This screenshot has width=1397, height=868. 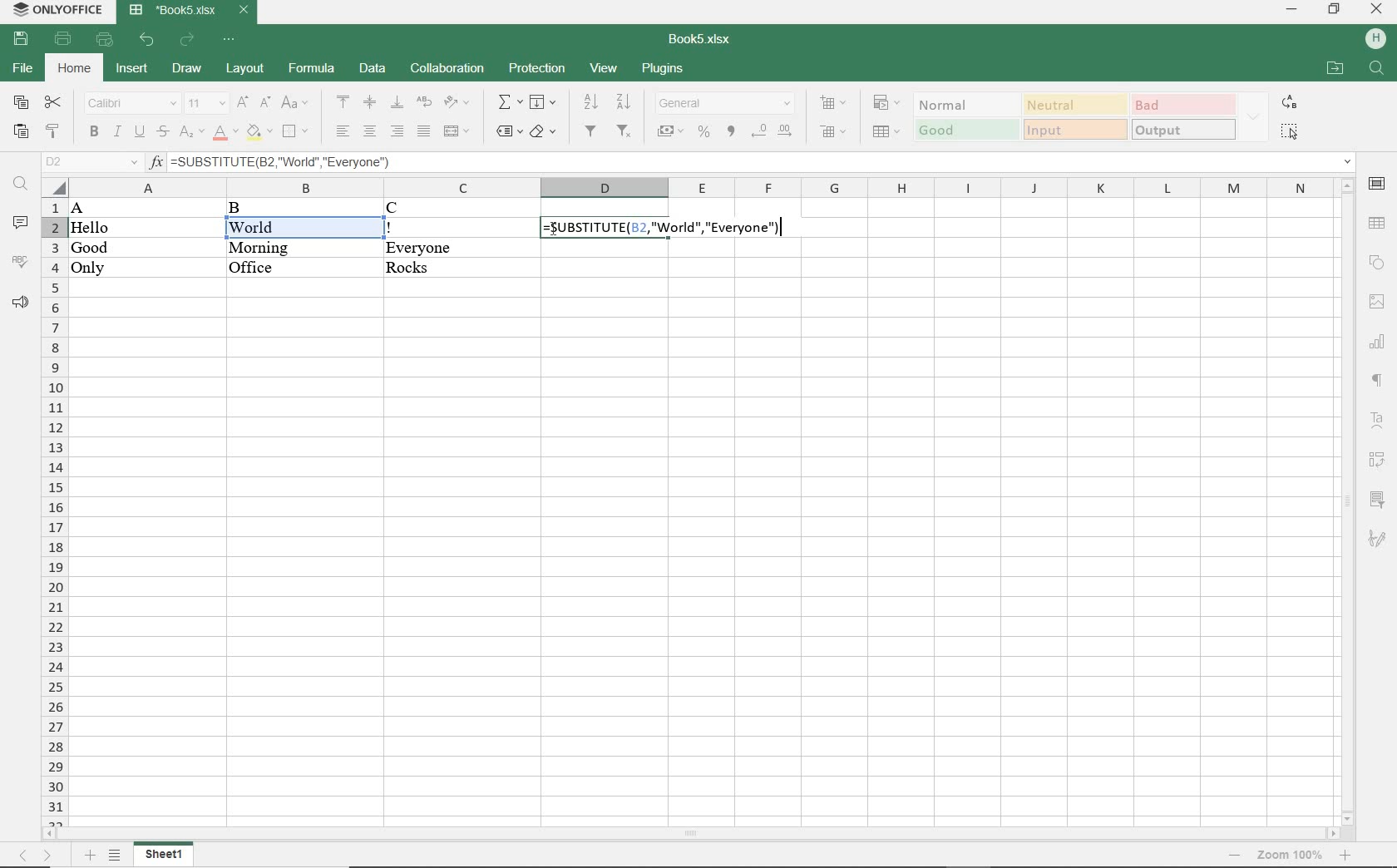 I want to click on Morning, so click(x=281, y=247).